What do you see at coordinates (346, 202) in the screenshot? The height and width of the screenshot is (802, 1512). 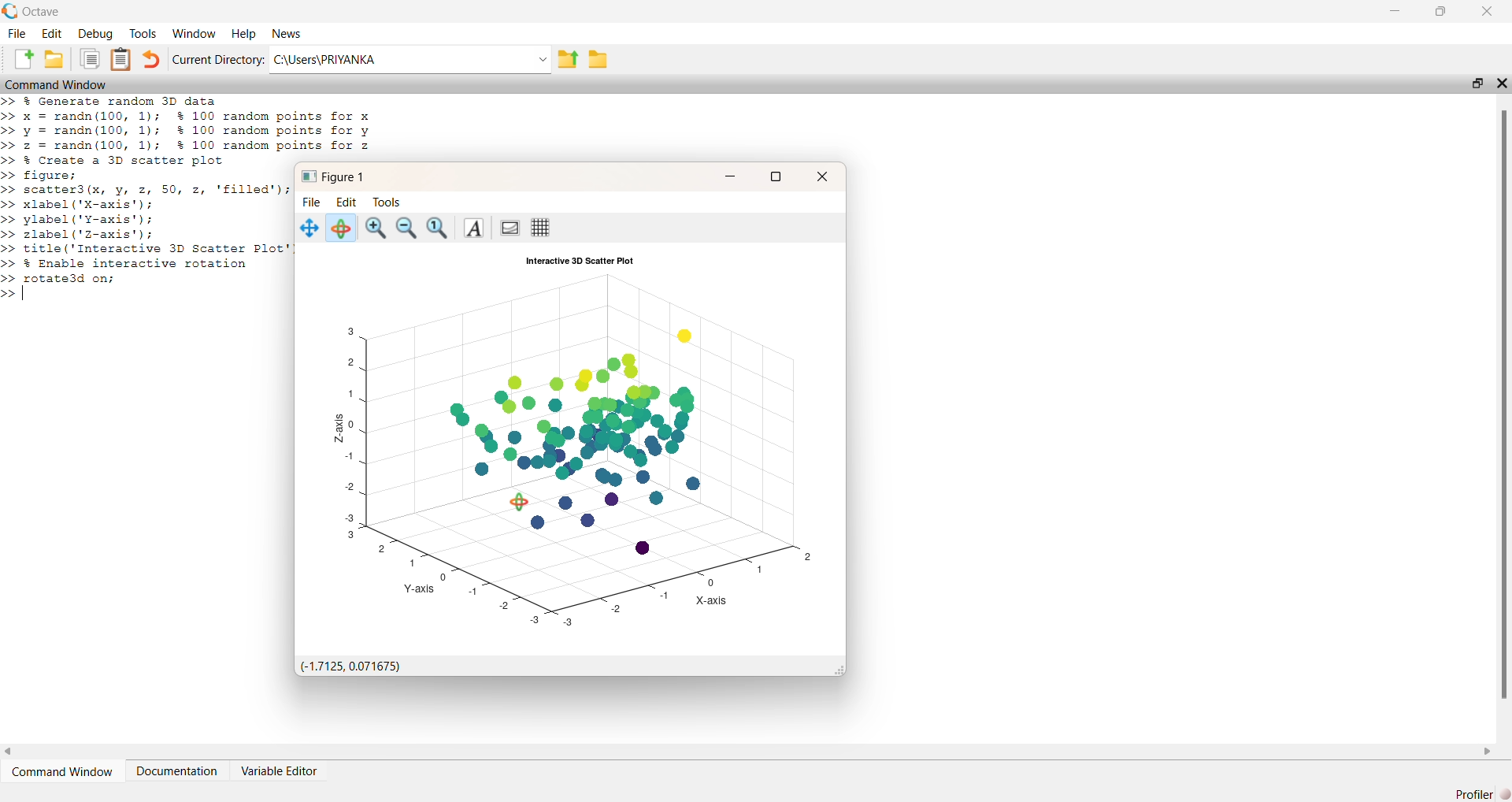 I see `Edit` at bounding box center [346, 202].